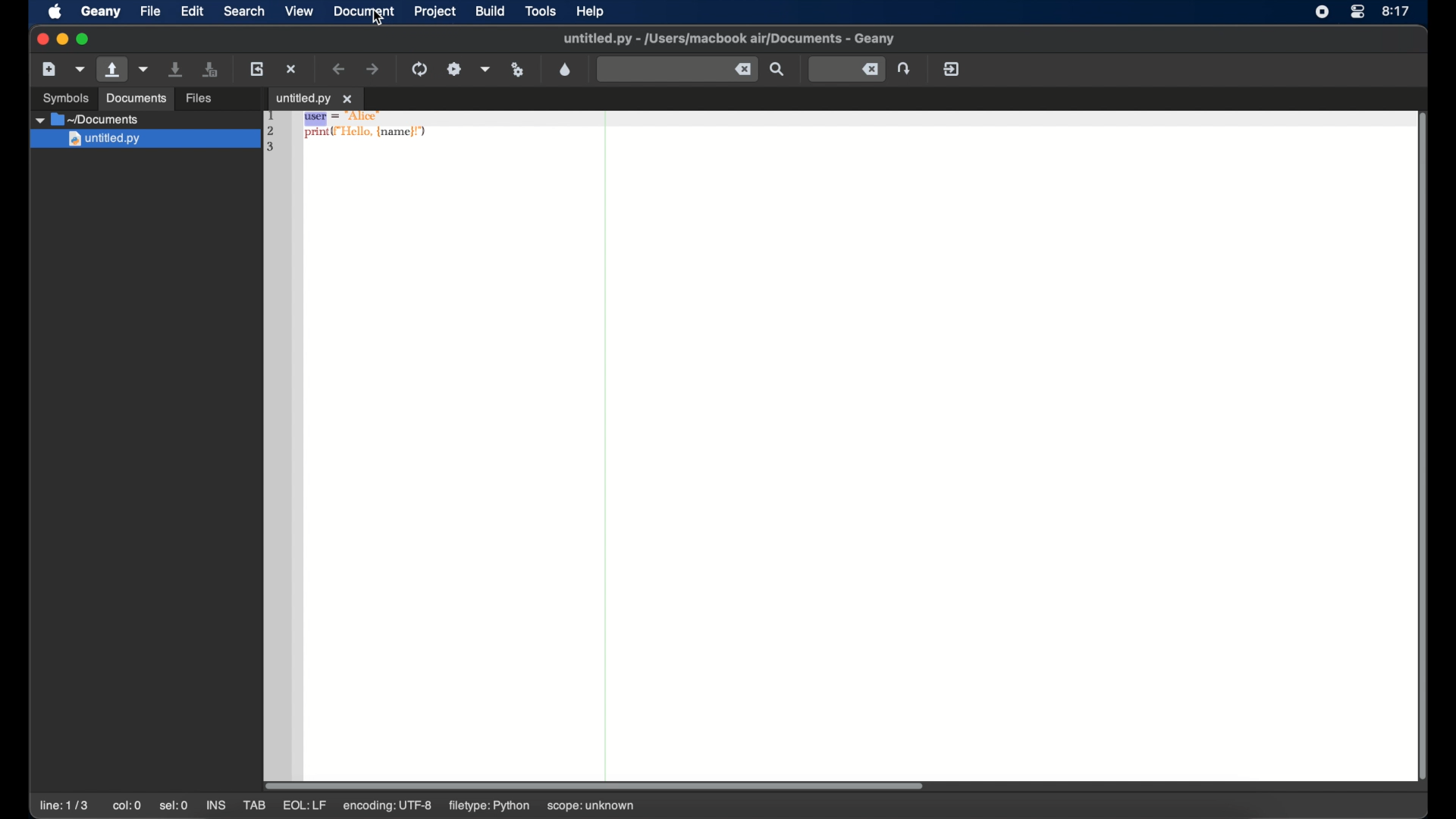 This screenshot has width=1456, height=819. Describe the element at coordinates (486, 69) in the screenshot. I see `choose more build actions` at that location.